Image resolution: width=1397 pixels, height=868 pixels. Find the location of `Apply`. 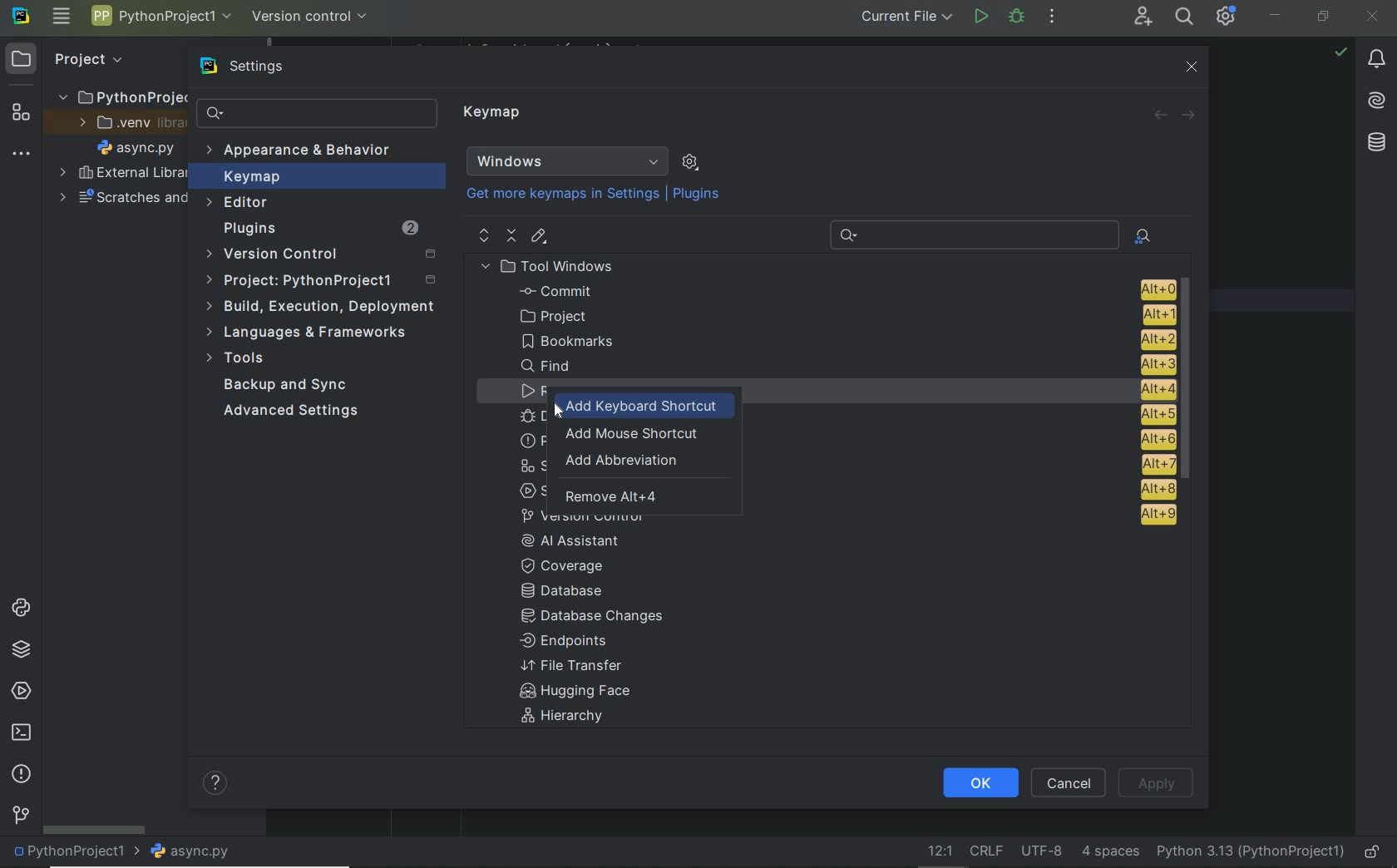

Apply is located at coordinates (1156, 782).